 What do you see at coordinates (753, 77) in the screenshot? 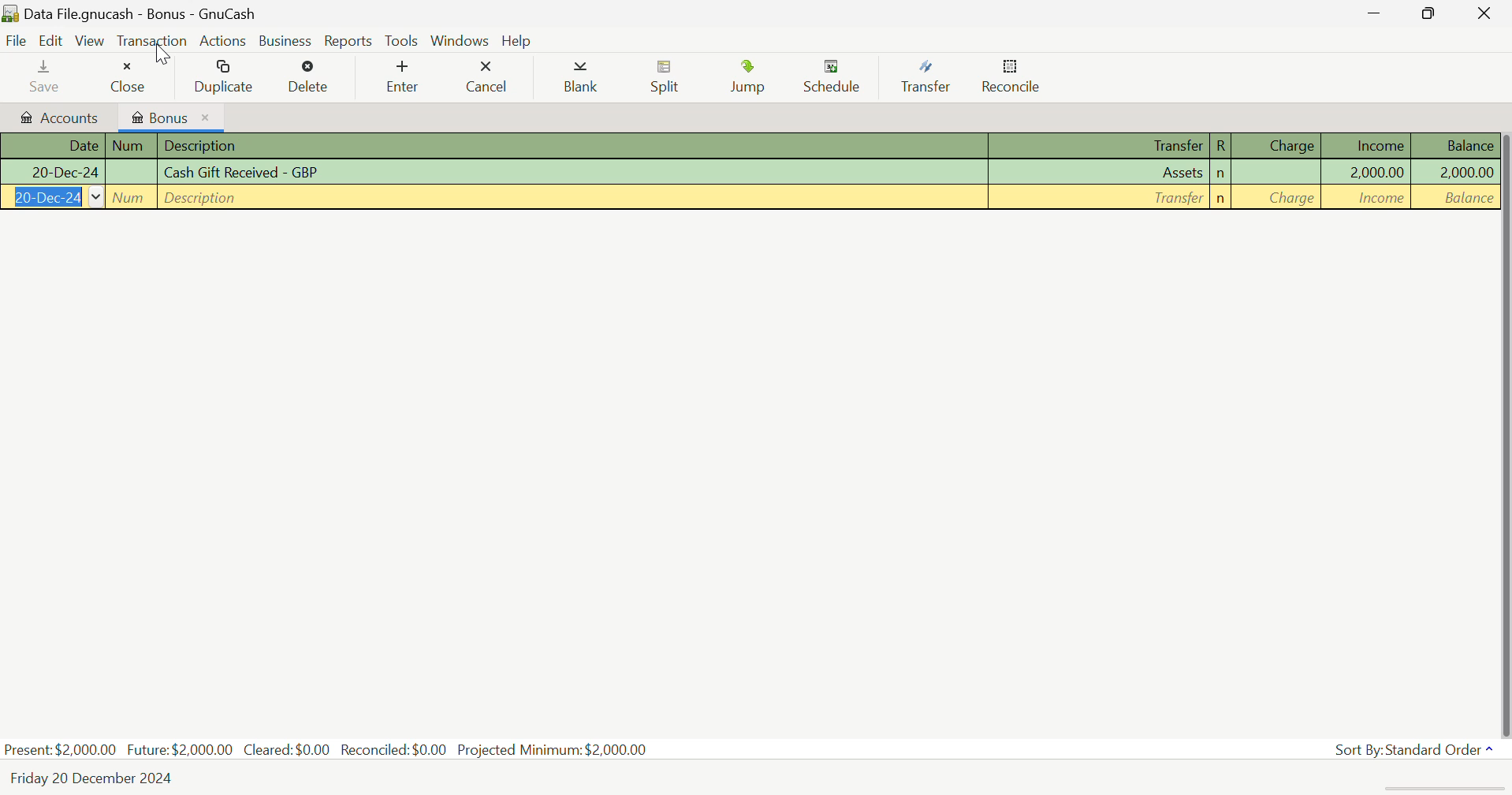
I see `Jump` at bounding box center [753, 77].